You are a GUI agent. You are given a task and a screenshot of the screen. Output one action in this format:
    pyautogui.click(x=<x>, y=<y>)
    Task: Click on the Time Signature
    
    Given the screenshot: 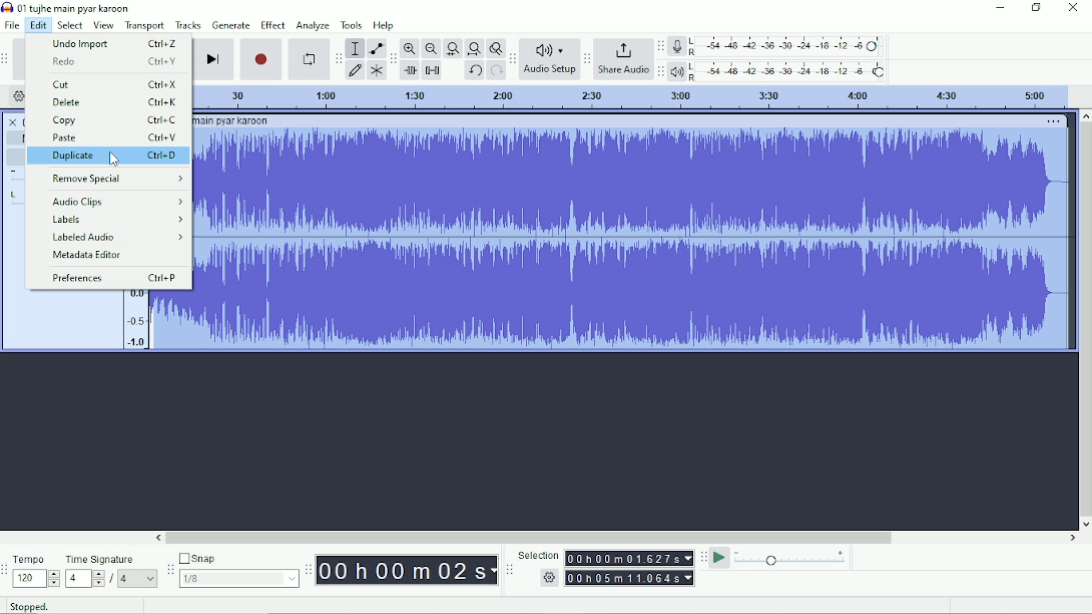 What is the action you would take?
    pyautogui.click(x=101, y=560)
    